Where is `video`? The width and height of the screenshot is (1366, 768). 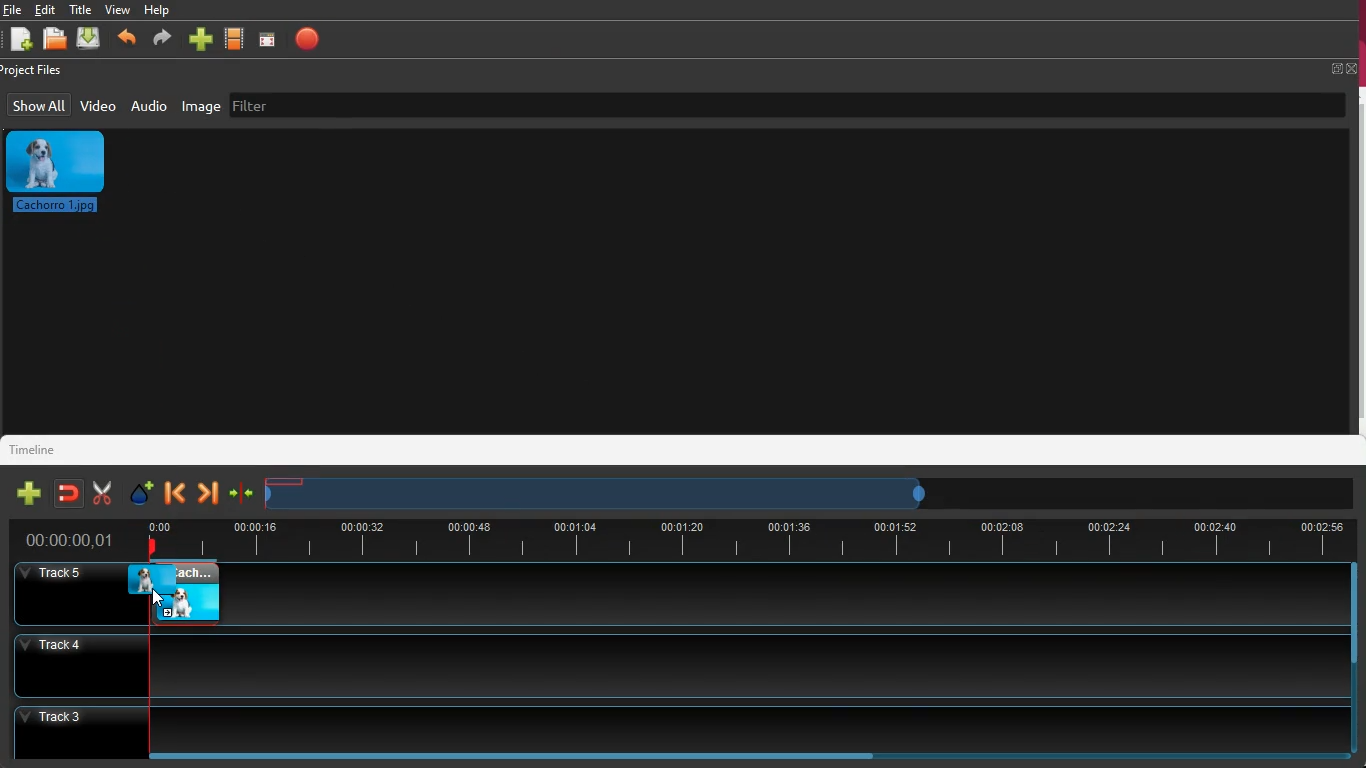 video is located at coordinates (99, 105).